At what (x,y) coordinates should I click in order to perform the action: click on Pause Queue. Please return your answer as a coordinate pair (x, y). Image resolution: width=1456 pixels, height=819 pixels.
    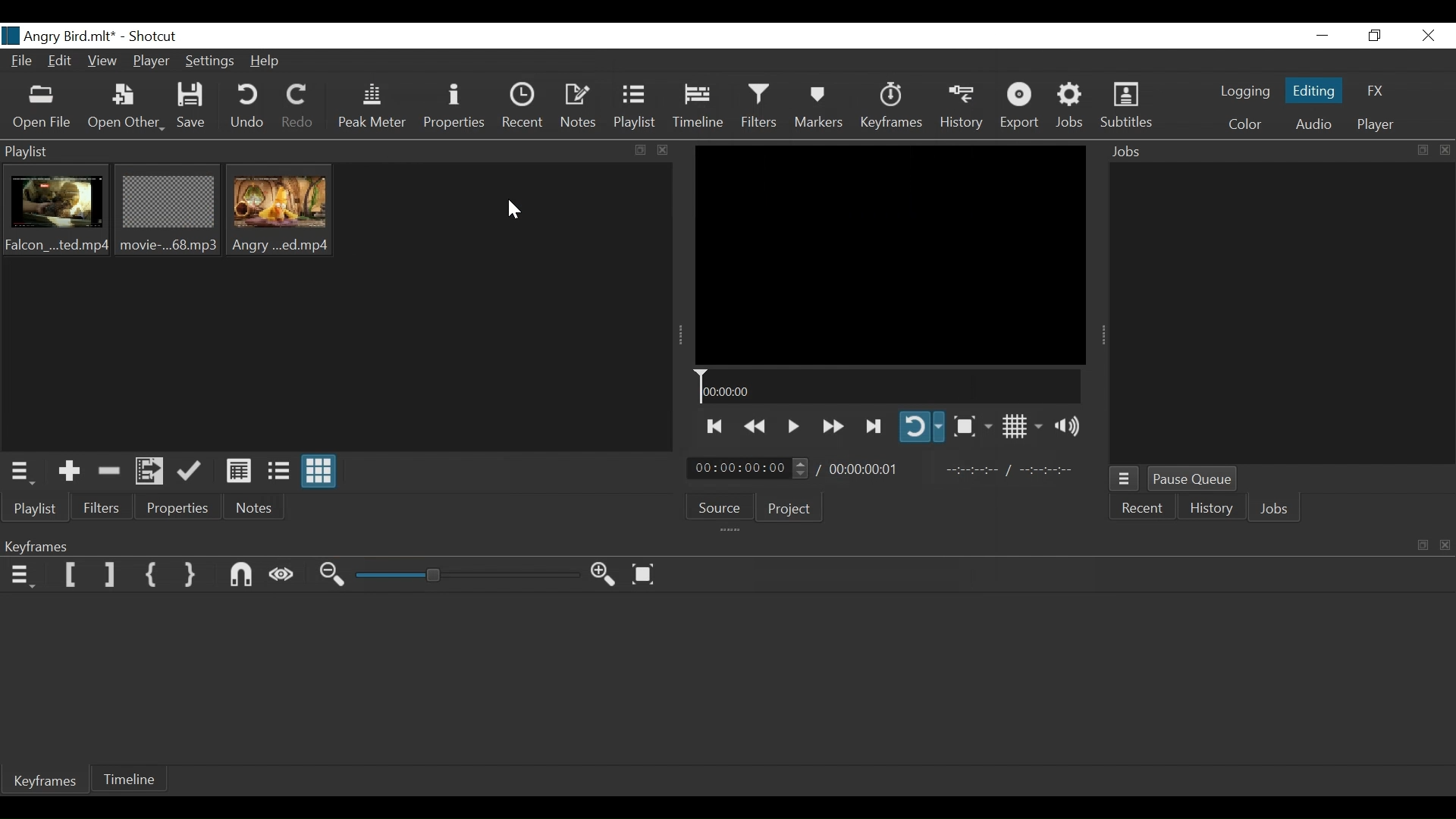
    Looking at the image, I should click on (1191, 479).